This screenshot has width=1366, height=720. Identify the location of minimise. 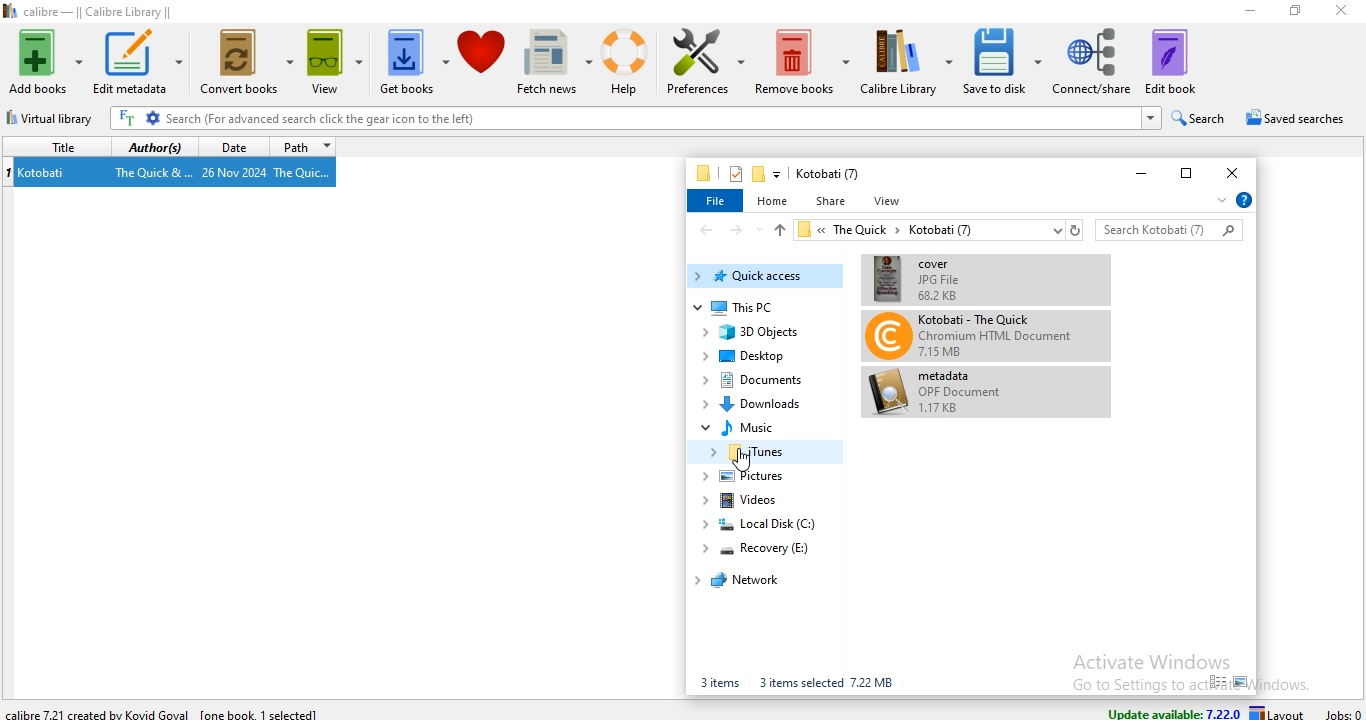
(1242, 13).